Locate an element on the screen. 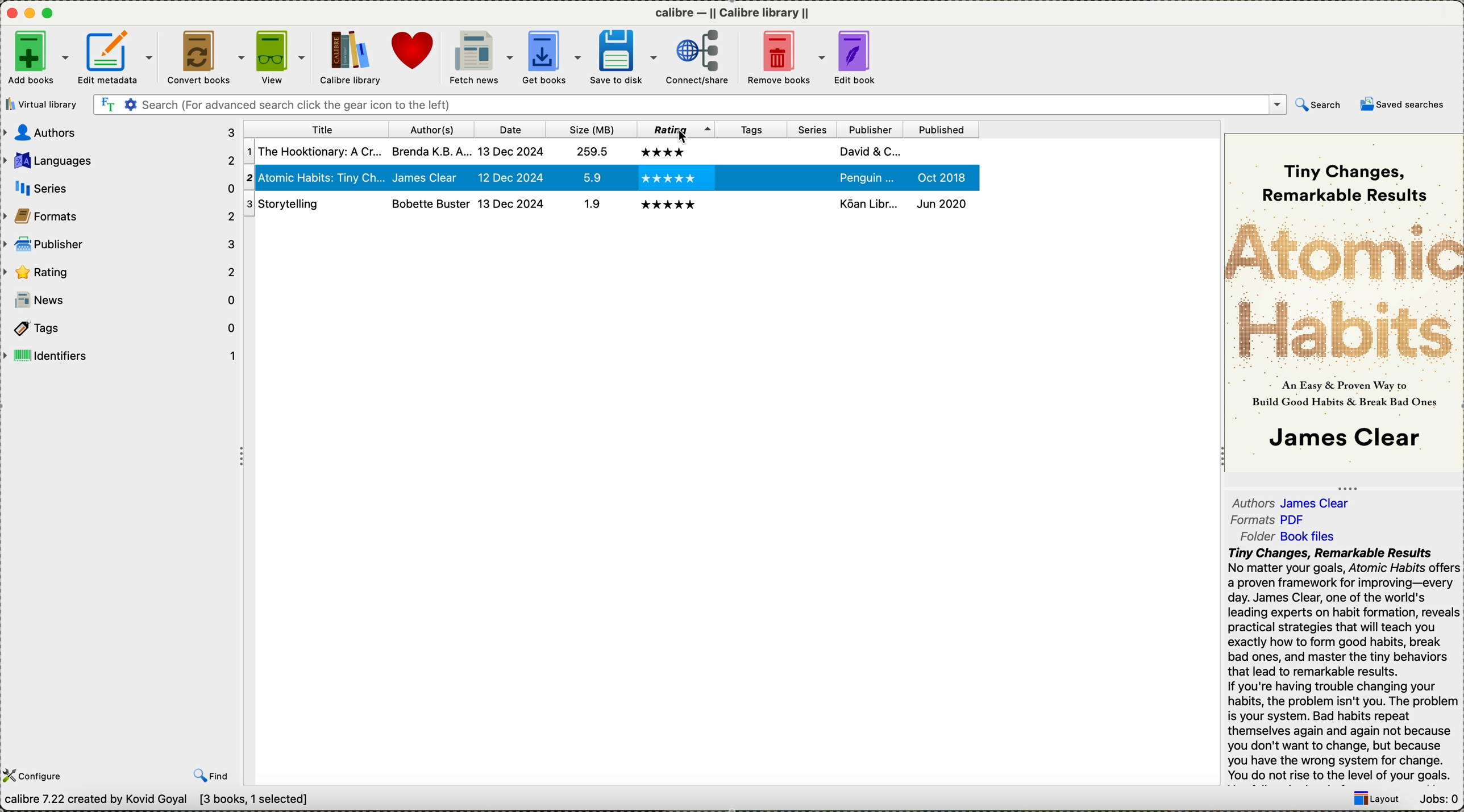 The height and width of the screenshot is (812, 1464). tags is located at coordinates (120, 328).